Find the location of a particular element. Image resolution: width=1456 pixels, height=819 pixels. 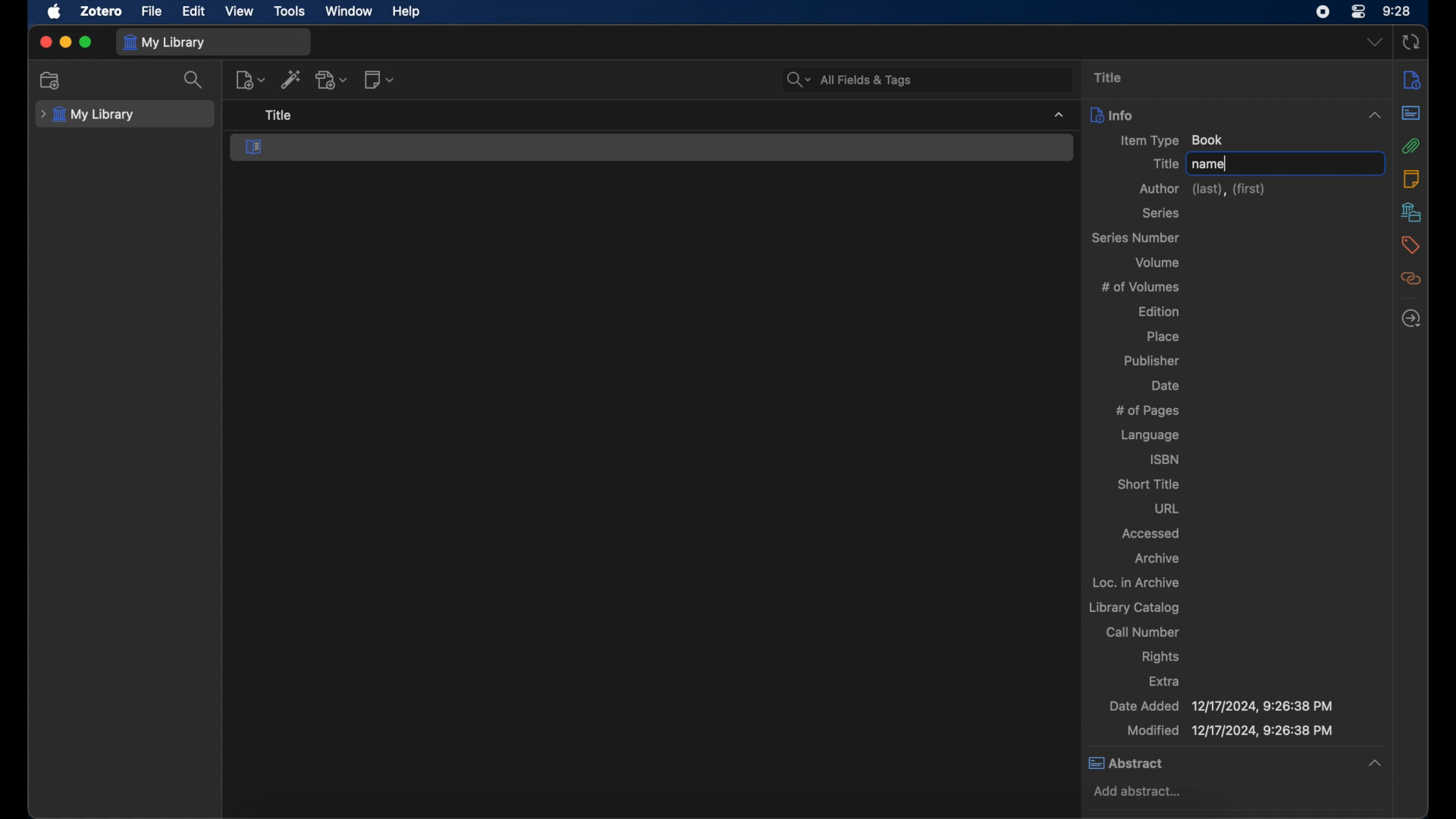

attachments is located at coordinates (1411, 146).